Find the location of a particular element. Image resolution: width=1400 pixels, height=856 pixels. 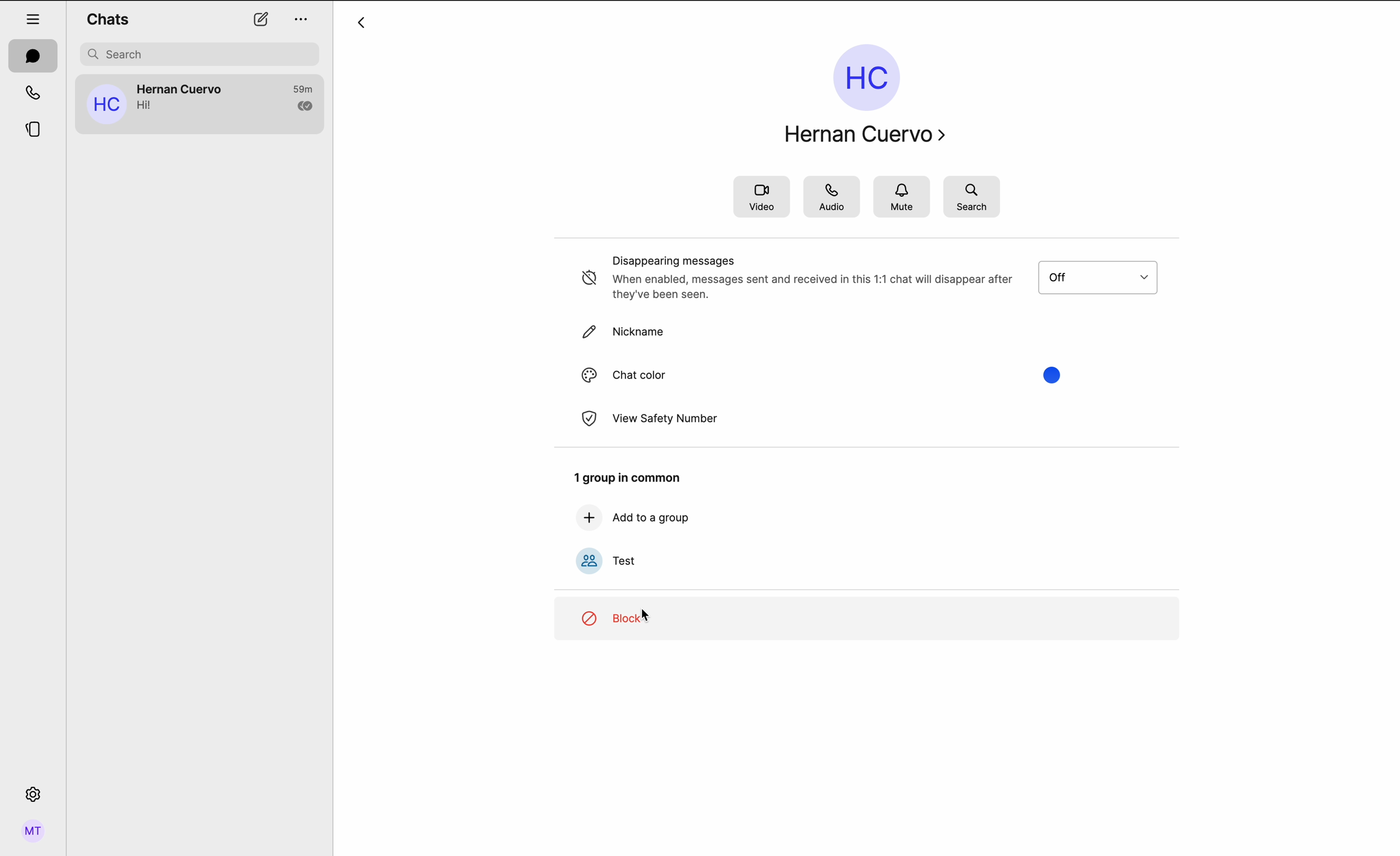

arrow is located at coordinates (363, 24).